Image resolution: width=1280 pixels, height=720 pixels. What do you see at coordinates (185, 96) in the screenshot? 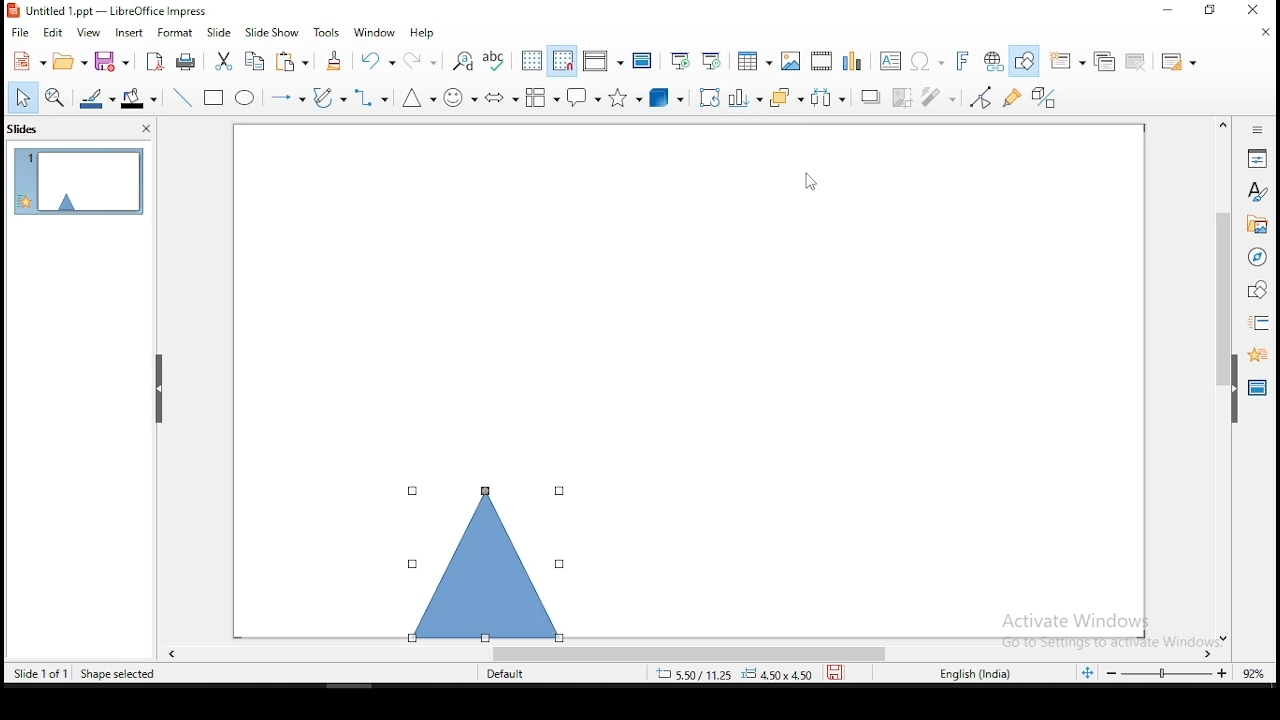
I see `line` at bounding box center [185, 96].